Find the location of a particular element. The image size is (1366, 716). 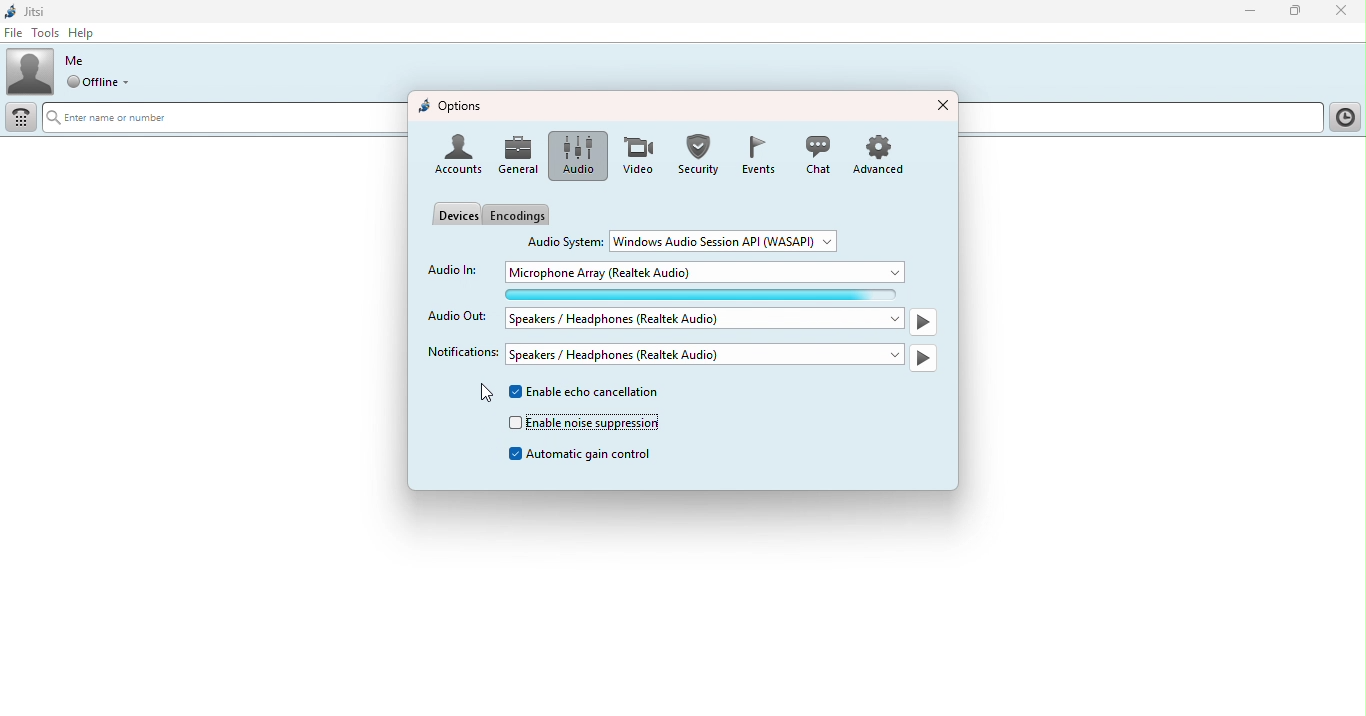

Help is located at coordinates (89, 32).